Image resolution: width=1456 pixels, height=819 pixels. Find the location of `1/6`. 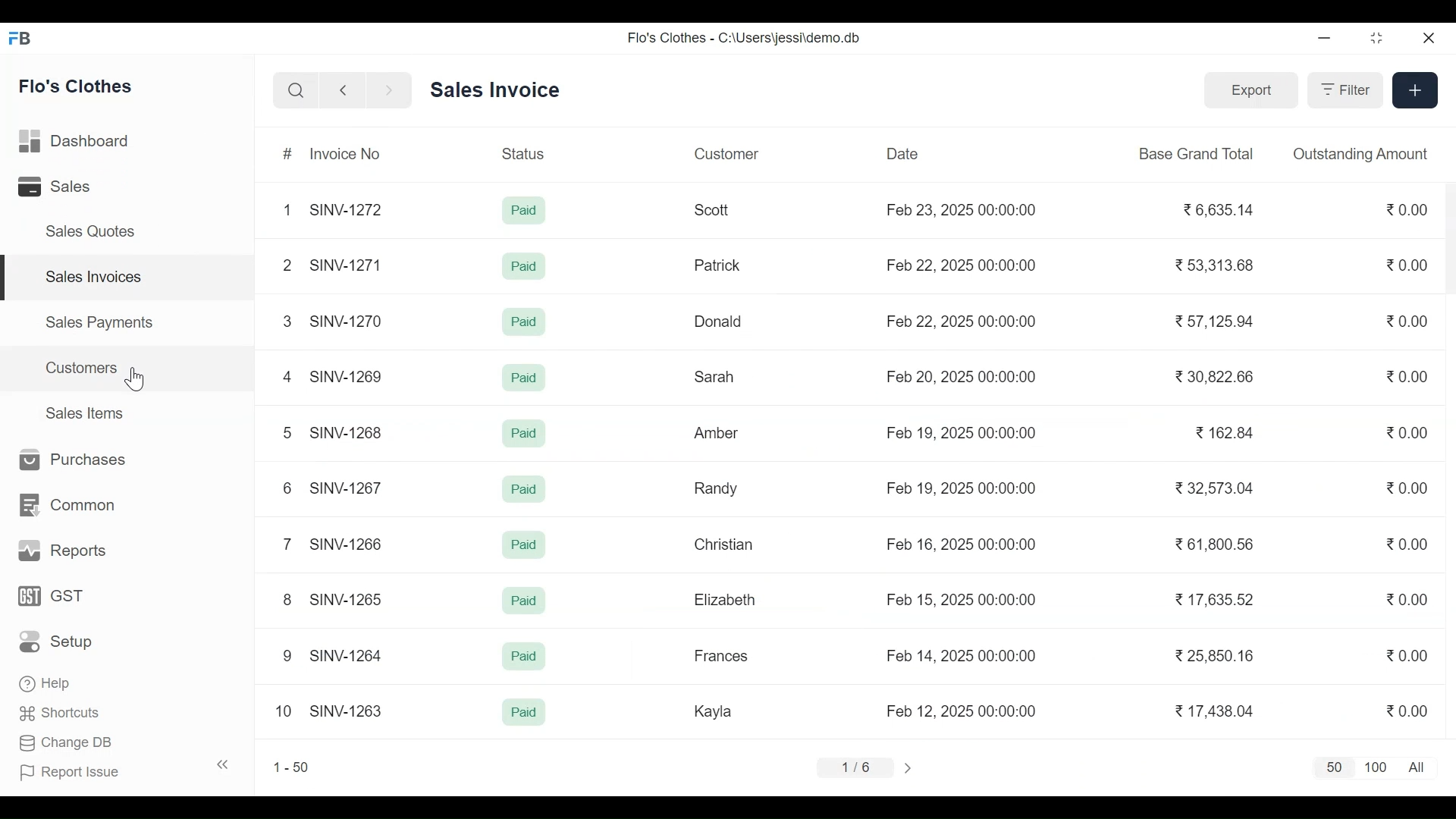

1/6 is located at coordinates (861, 767).